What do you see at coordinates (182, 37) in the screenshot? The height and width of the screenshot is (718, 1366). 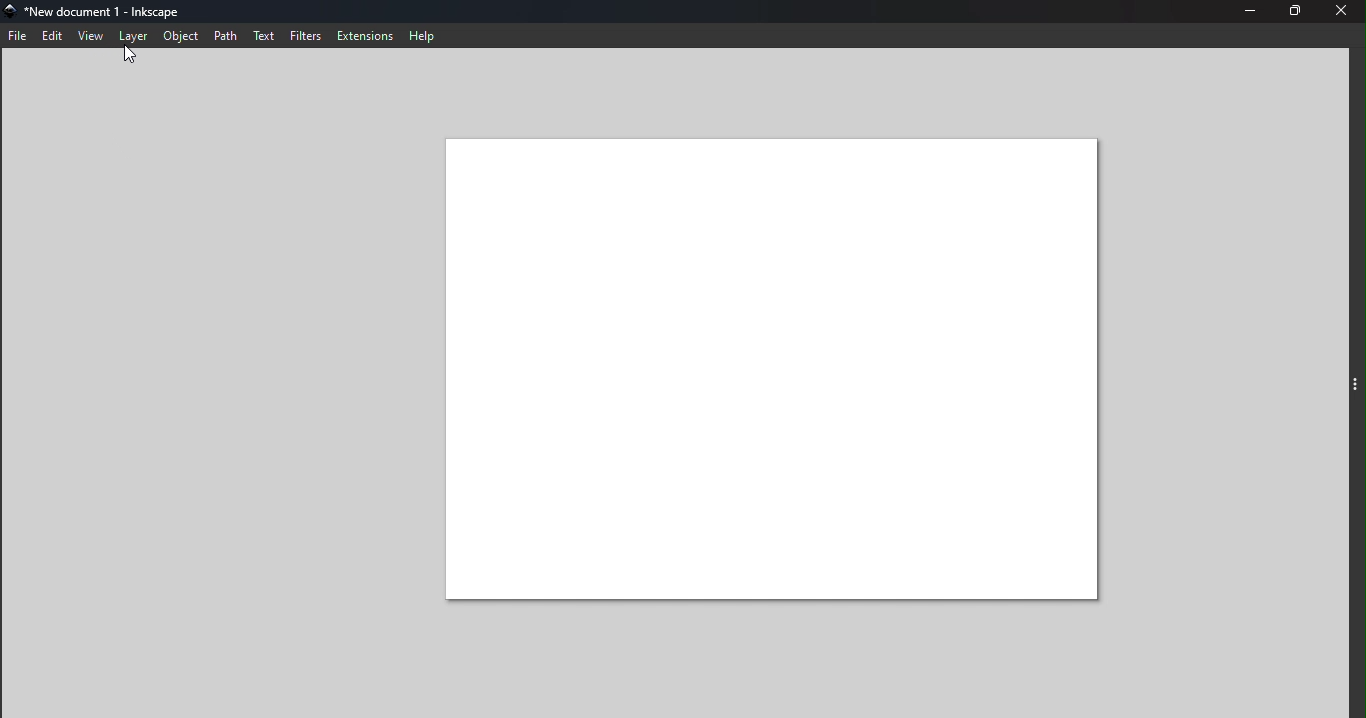 I see `Object` at bounding box center [182, 37].